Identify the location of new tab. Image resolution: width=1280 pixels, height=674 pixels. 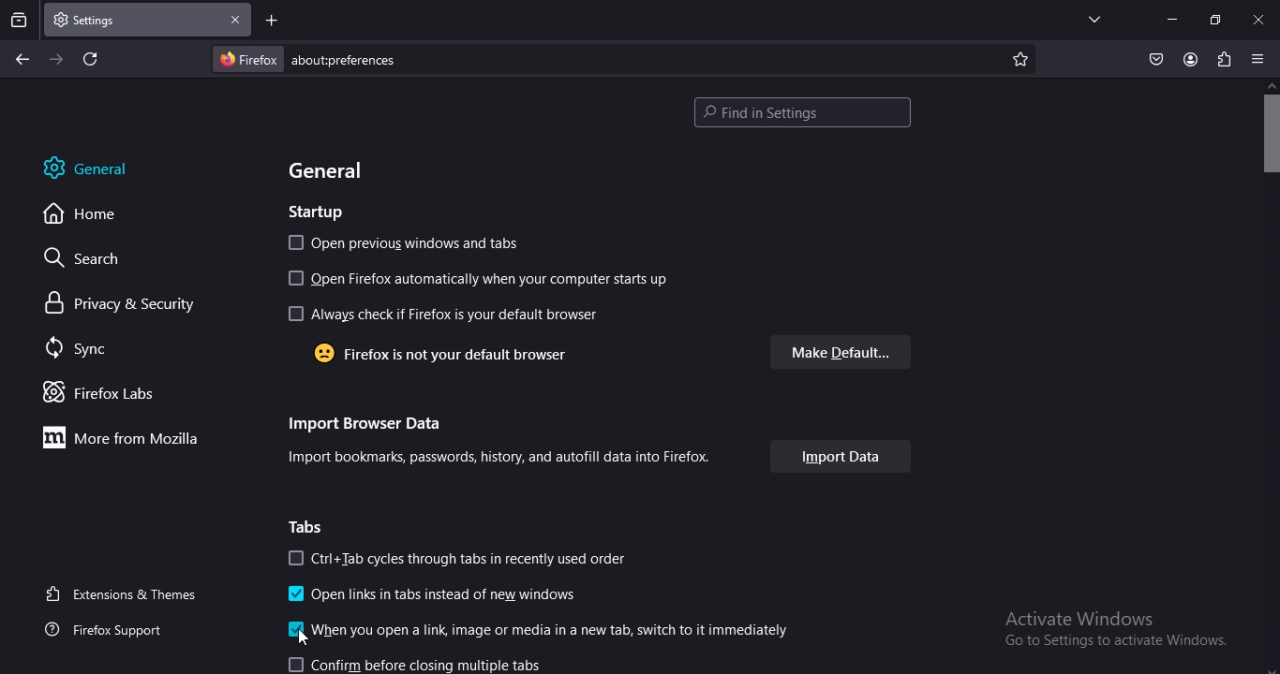
(273, 22).